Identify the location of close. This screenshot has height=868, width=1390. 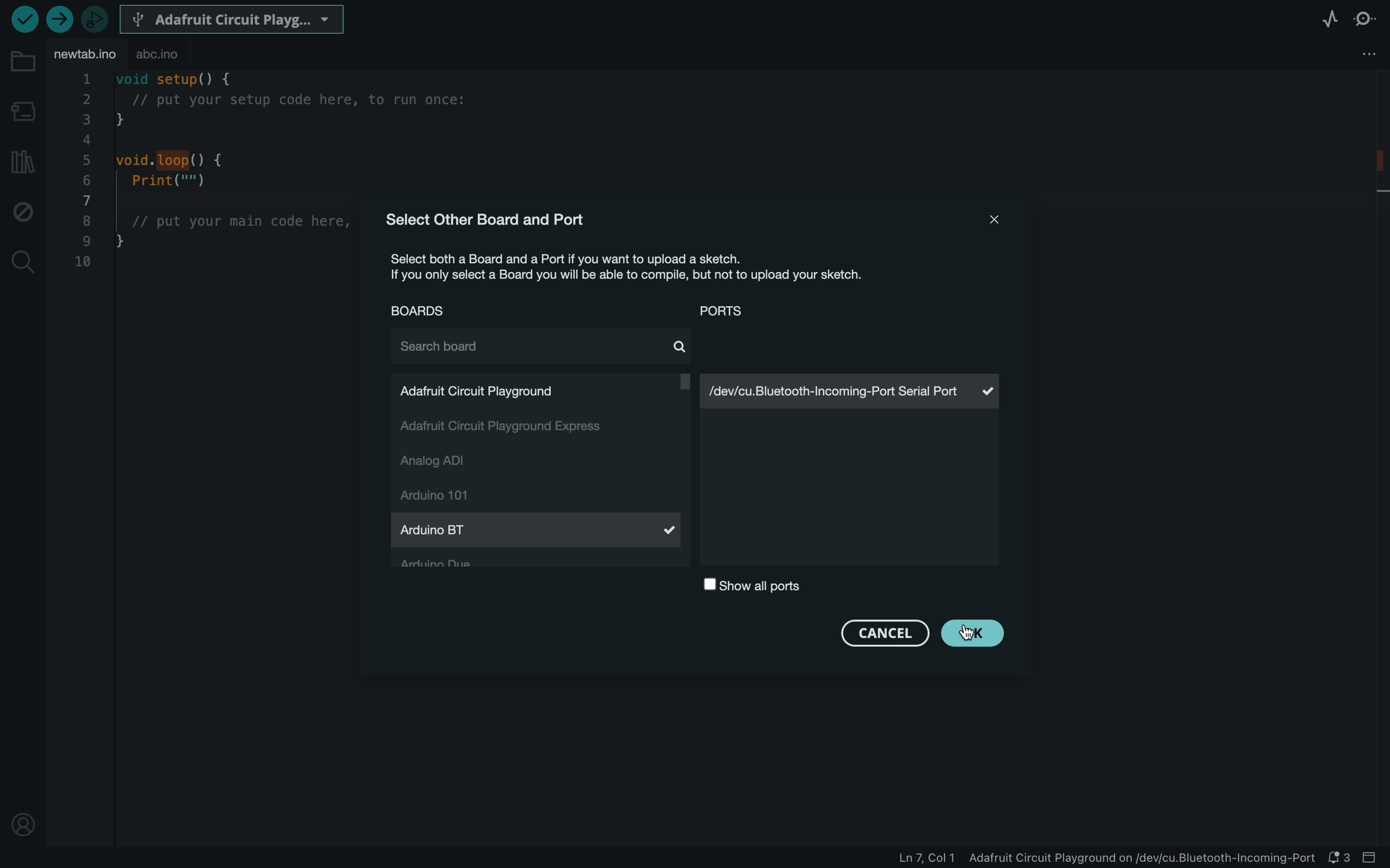
(994, 219).